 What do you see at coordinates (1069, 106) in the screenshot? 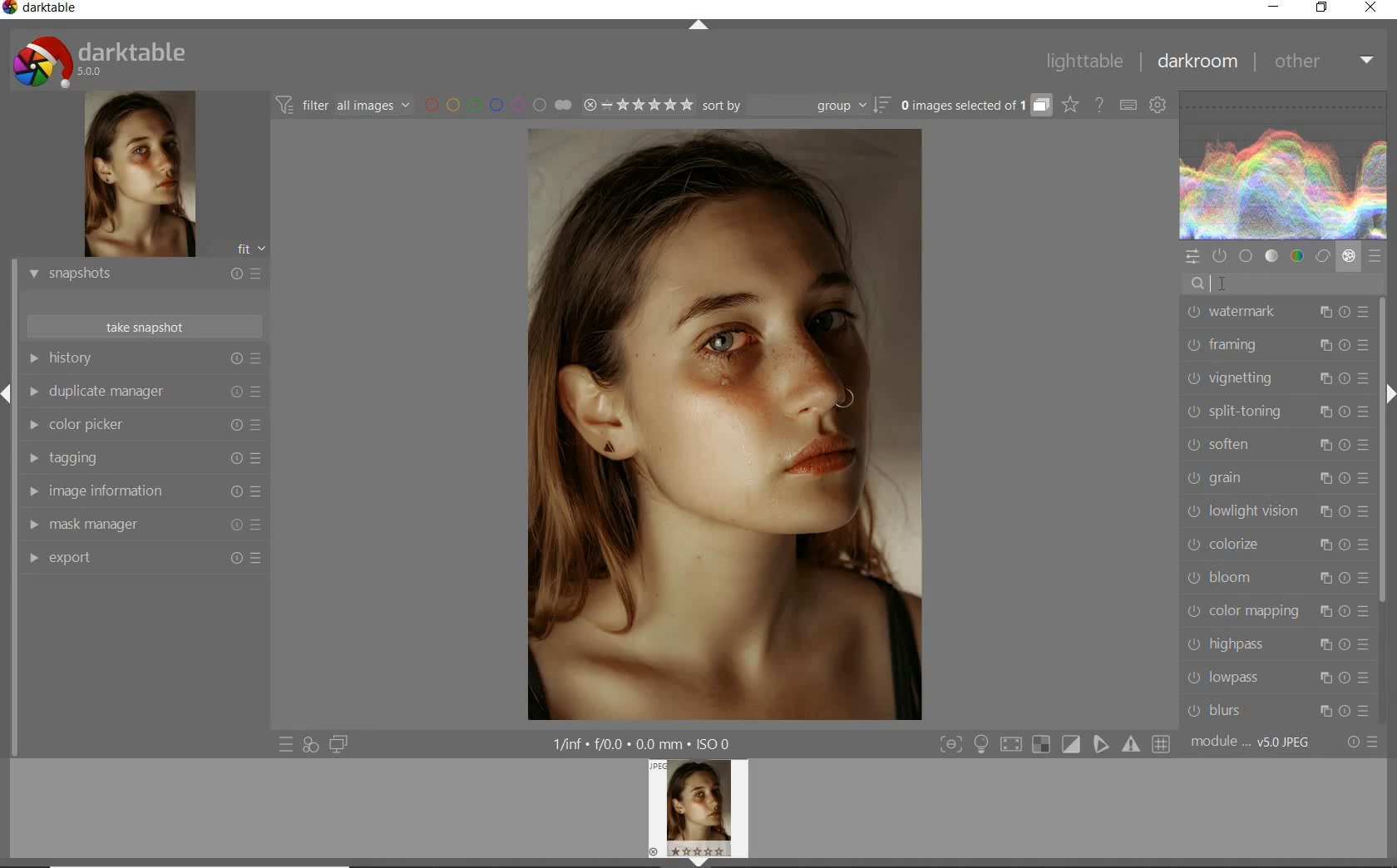
I see `change overlays shown on thumbnails` at bounding box center [1069, 106].